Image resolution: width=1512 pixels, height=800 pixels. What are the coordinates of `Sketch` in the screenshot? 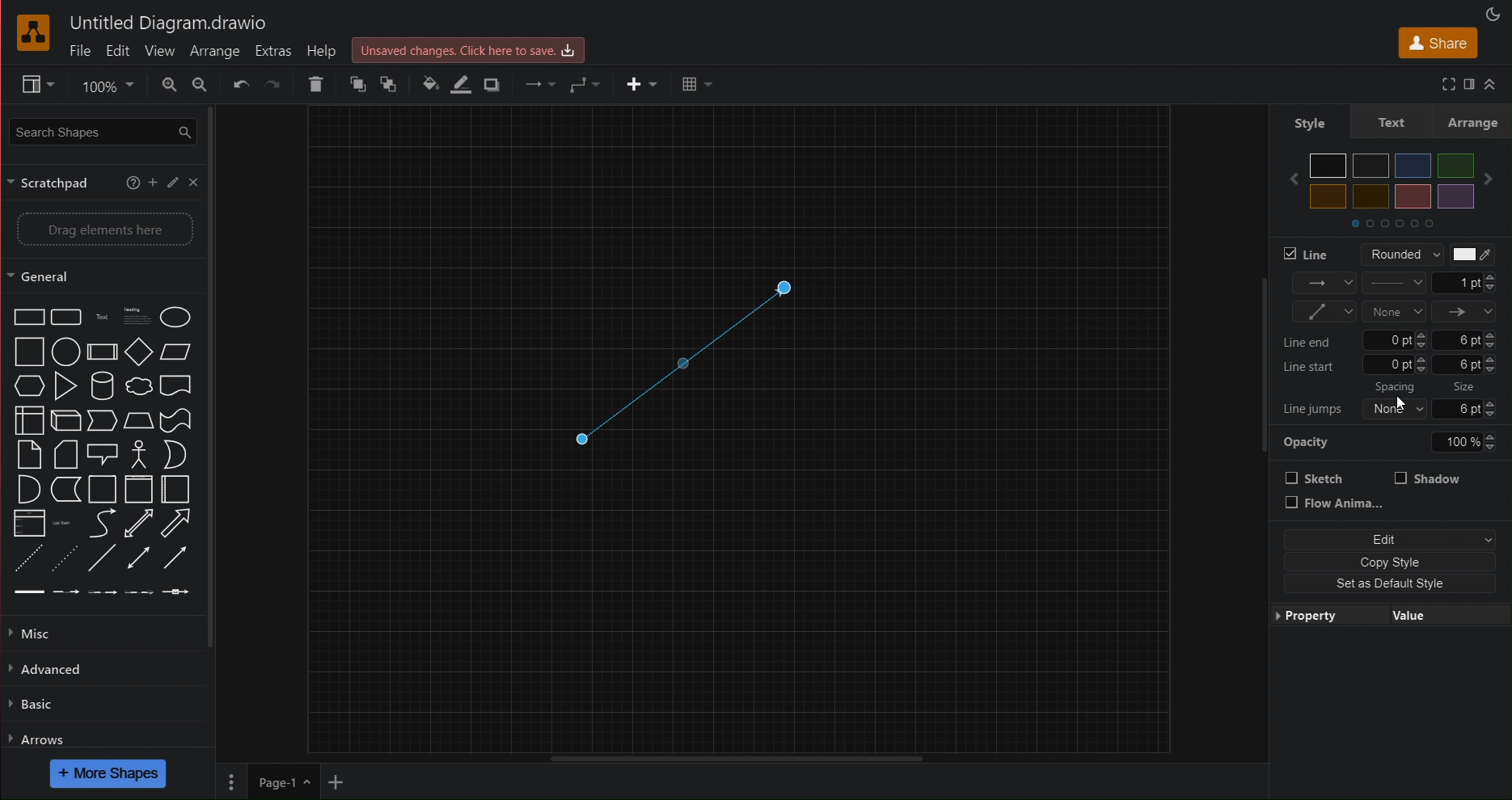 It's located at (1316, 478).